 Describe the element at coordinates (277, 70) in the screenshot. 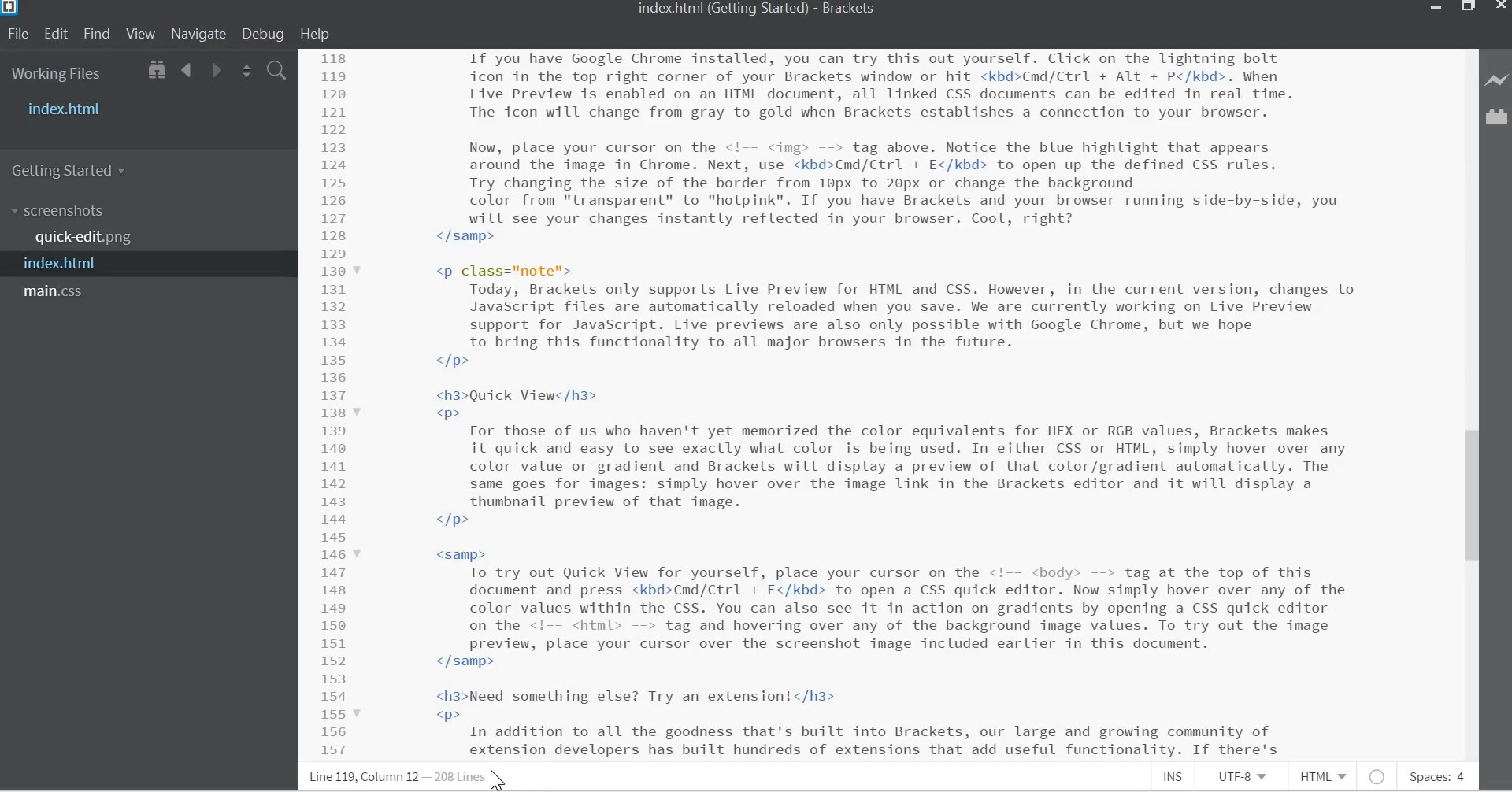

I see `Find in Files` at that location.